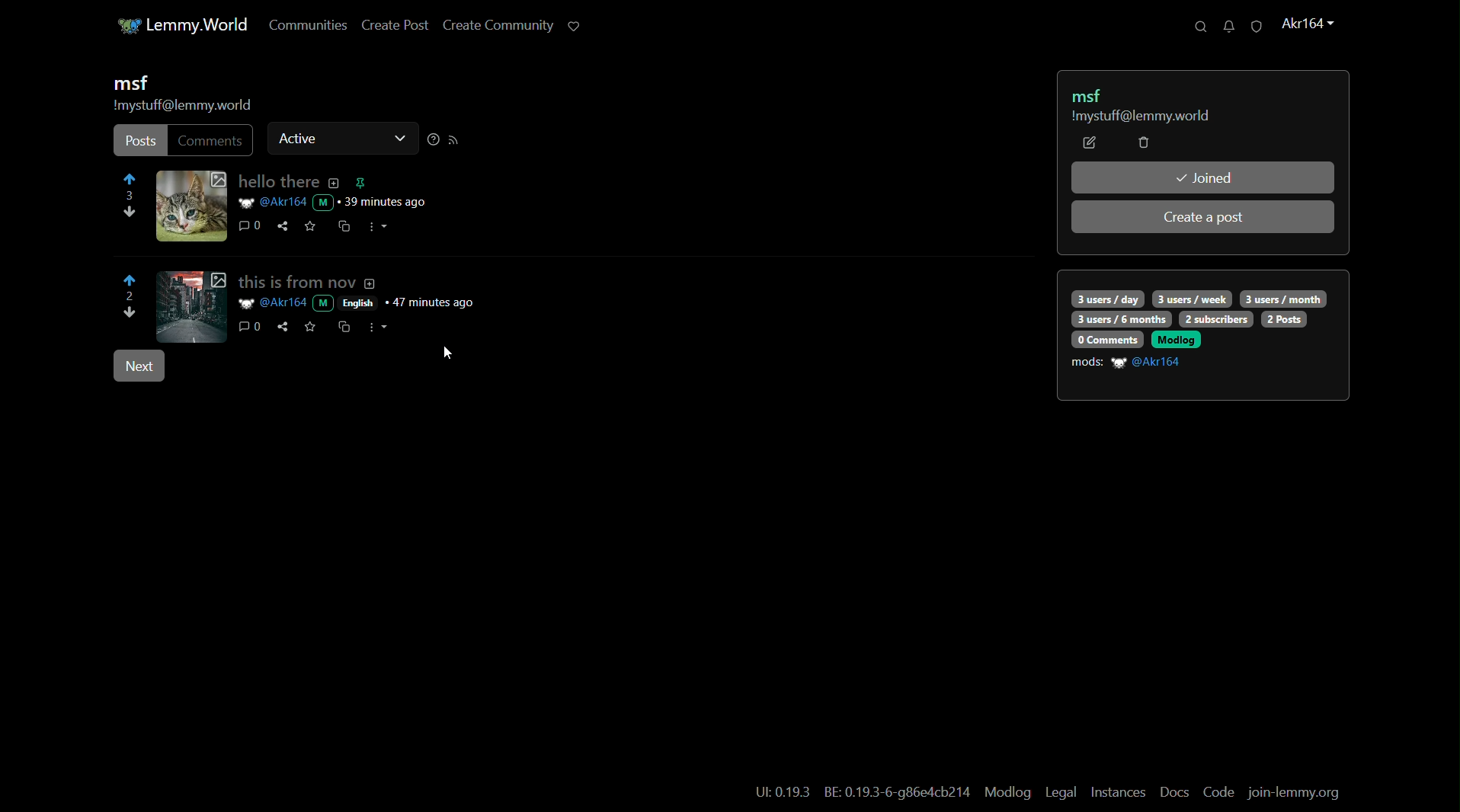 This screenshot has width=1460, height=812. What do you see at coordinates (1285, 319) in the screenshot?
I see `2 posts` at bounding box center [1285, 319].